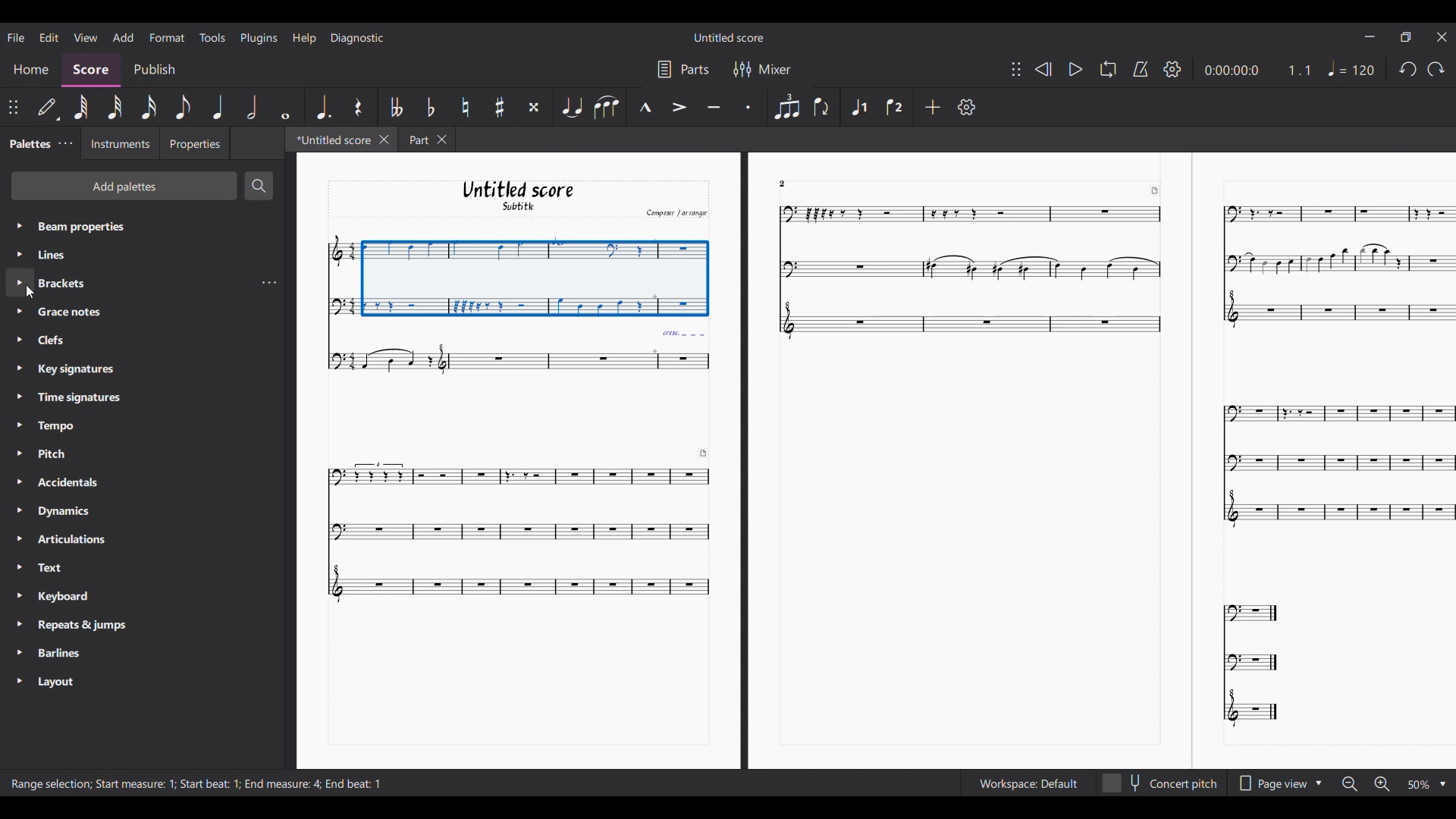 Image resolution: width=1456 pixels, height=819 pixels. I want to click on End measure: 4;, so click(282, 783).